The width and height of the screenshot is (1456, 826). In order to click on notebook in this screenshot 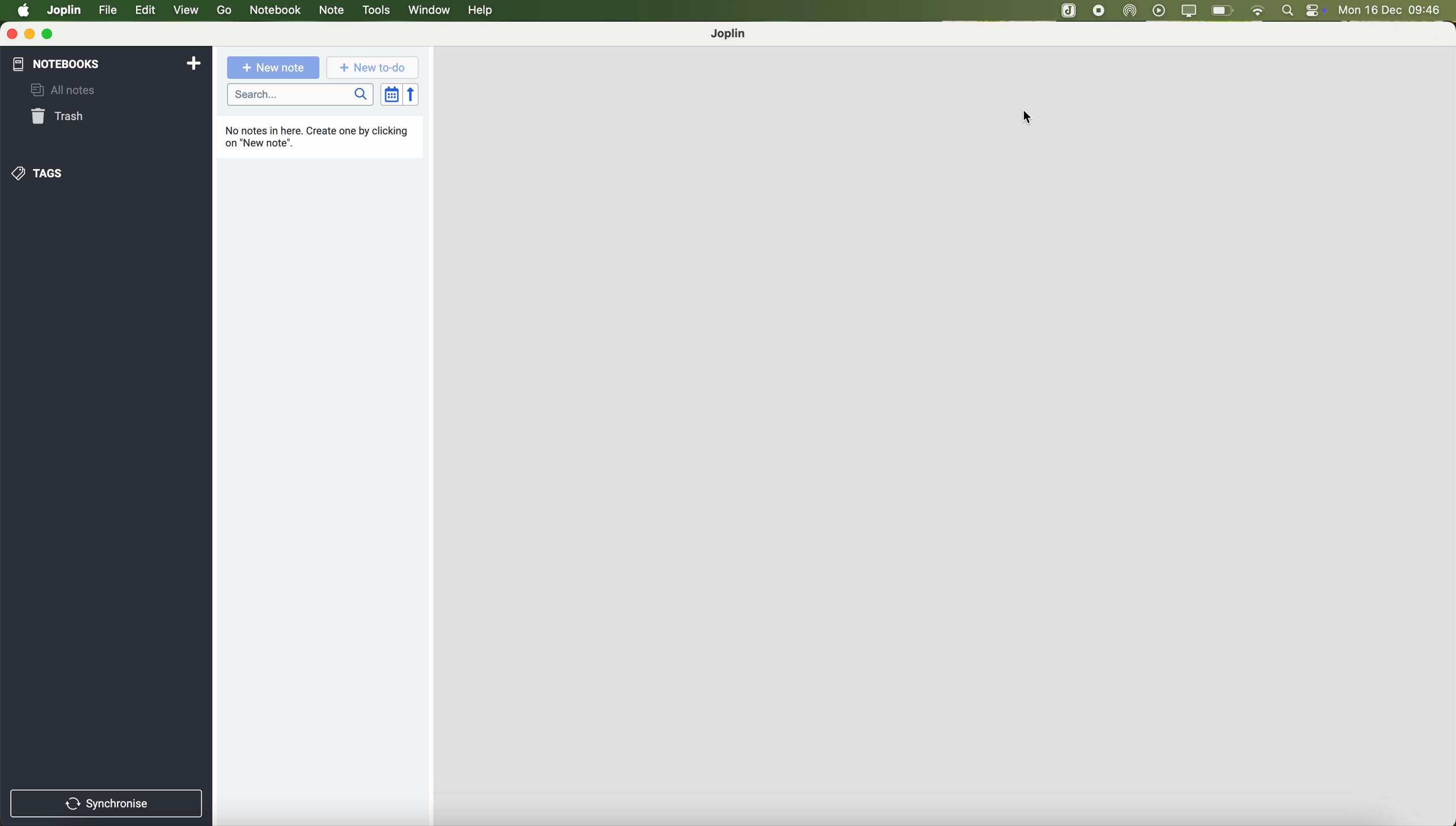, I will do `click(275, 11)`.